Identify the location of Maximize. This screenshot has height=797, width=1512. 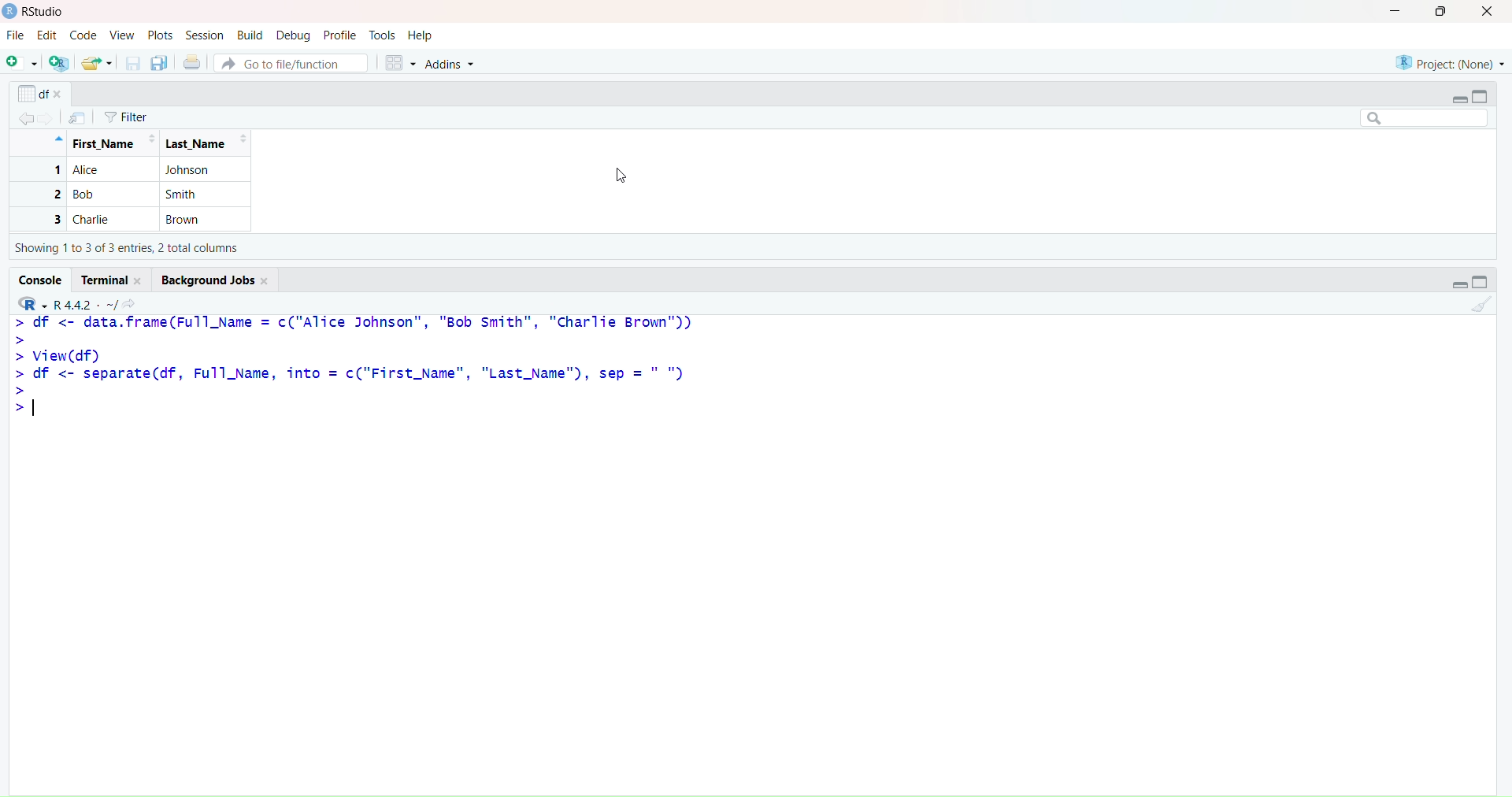
(1486, 96).